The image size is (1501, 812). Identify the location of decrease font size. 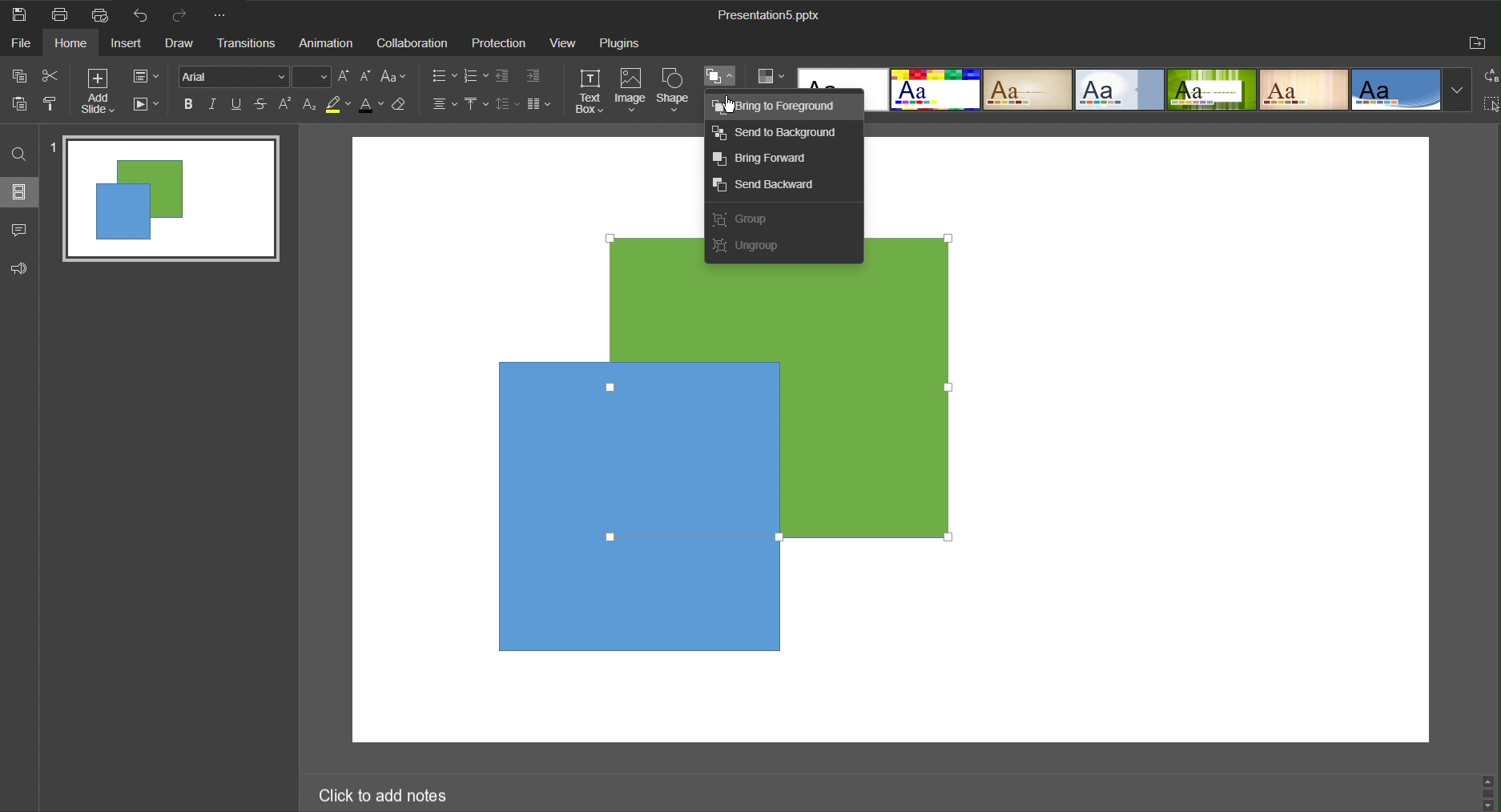
(367, 75).